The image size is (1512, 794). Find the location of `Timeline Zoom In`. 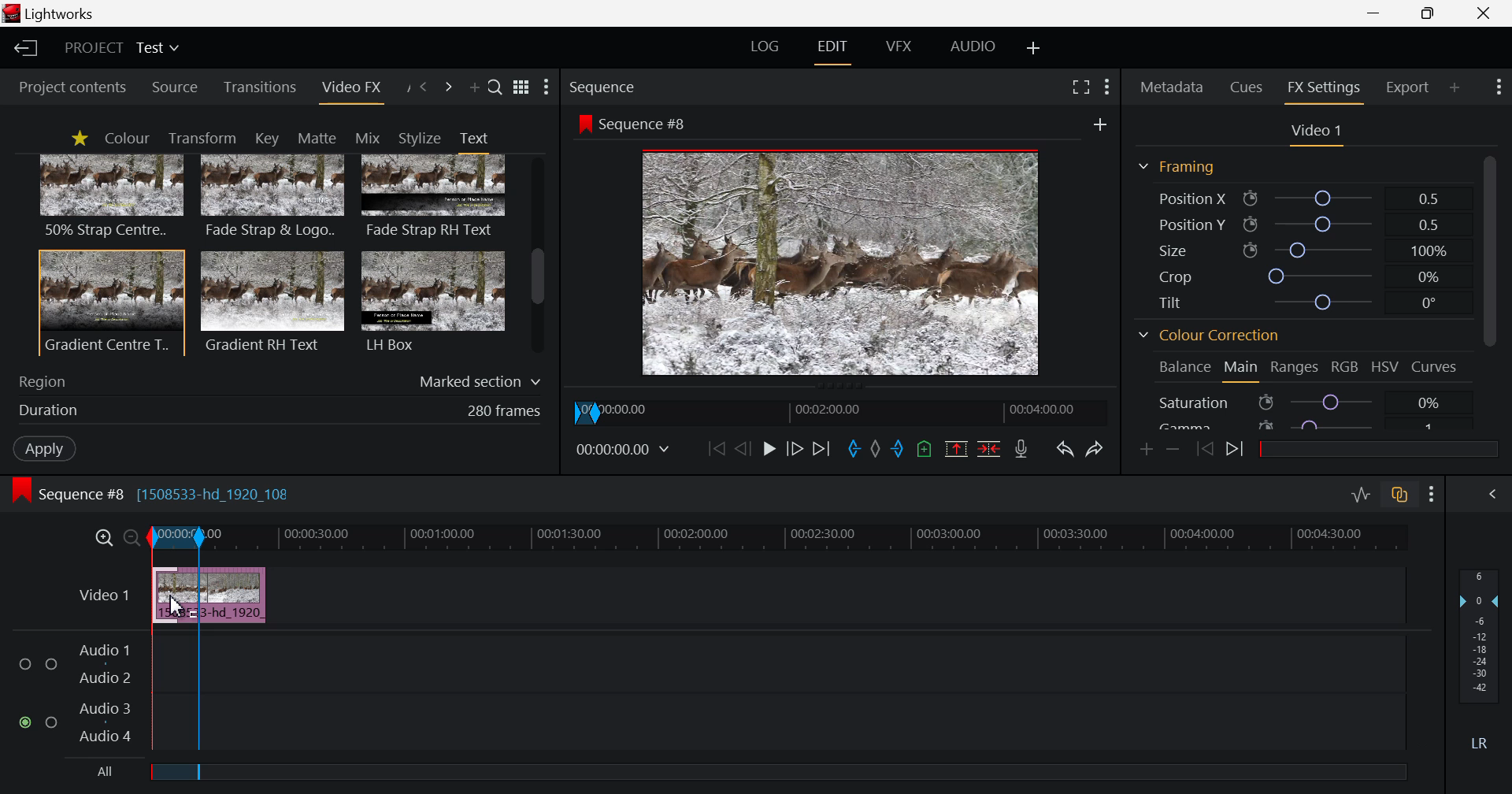

Timeline Zoom In is located at coordinates (104, 536).